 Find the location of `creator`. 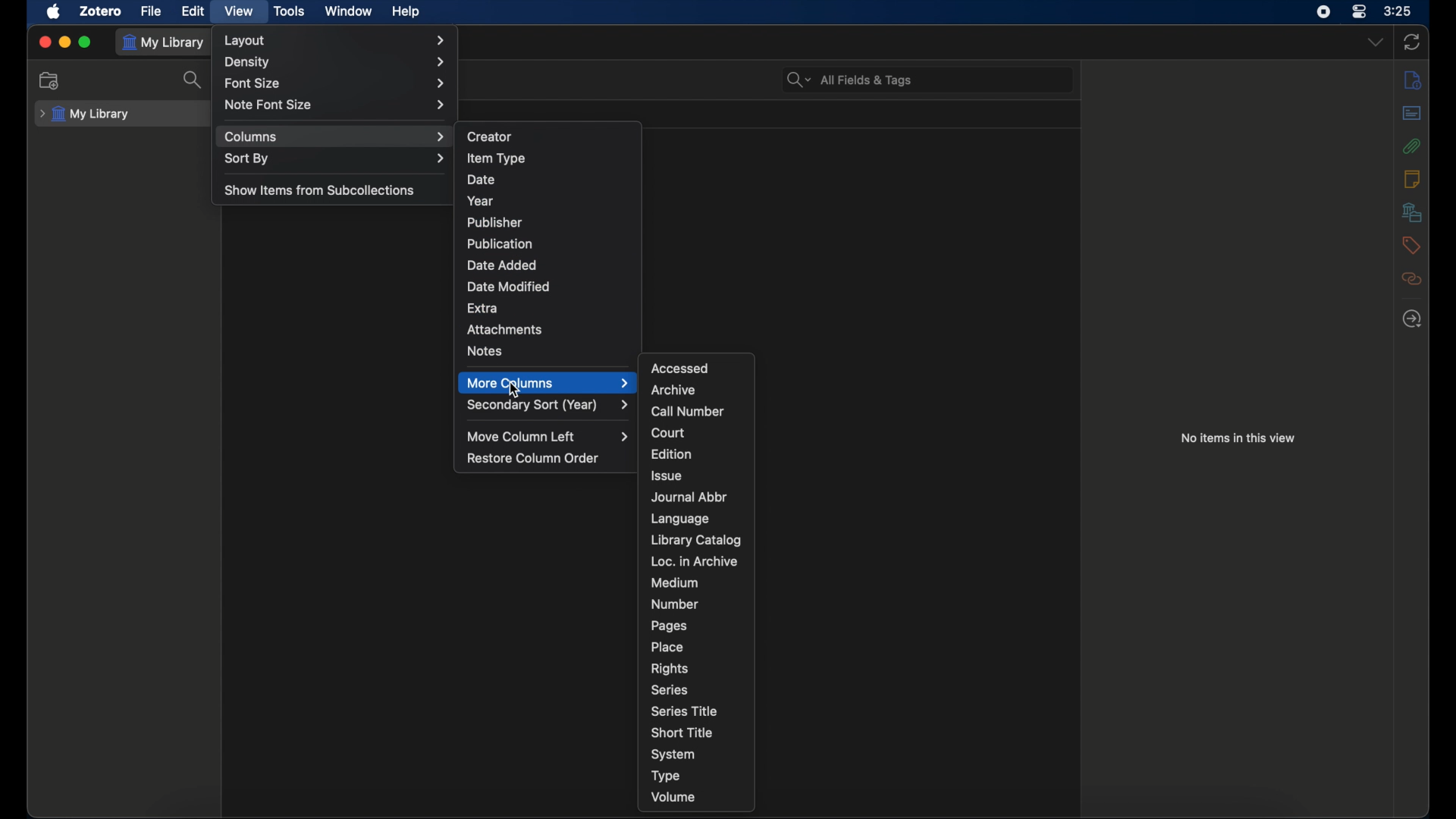

creator is located at coordinates (490, 137).